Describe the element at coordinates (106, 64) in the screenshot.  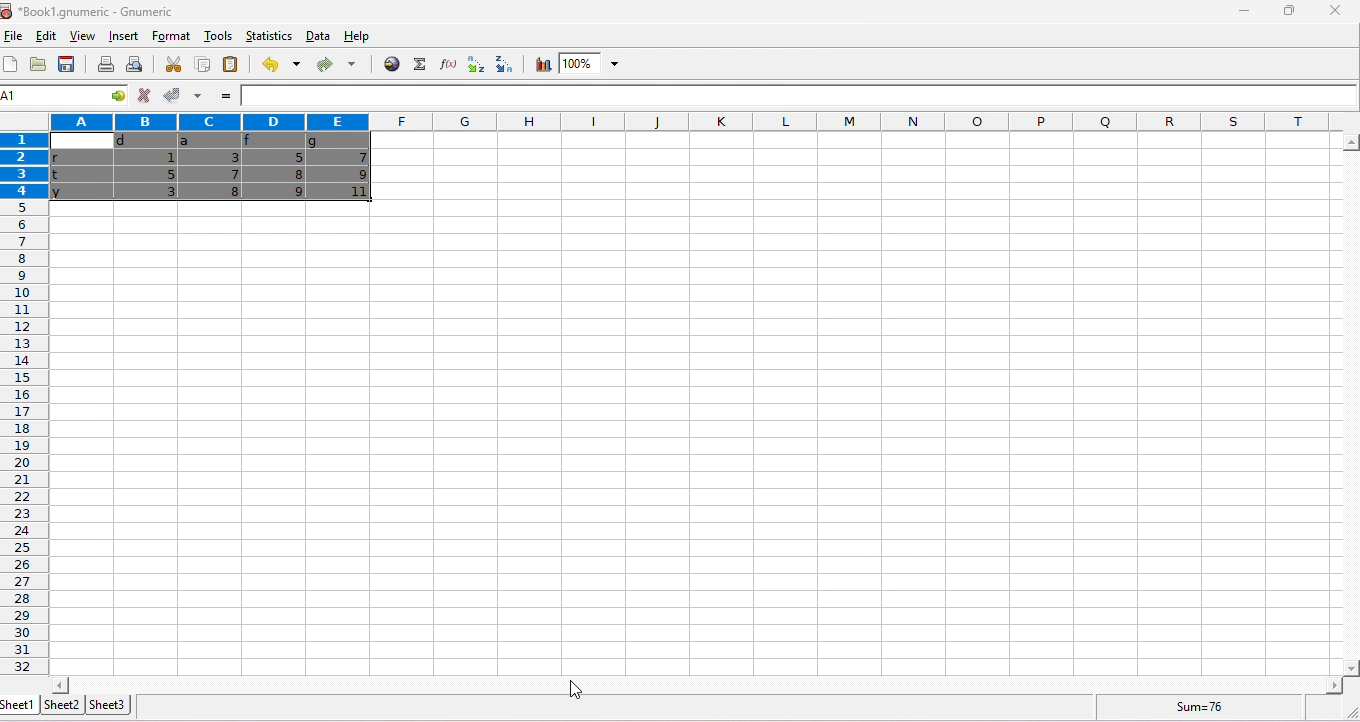
I see `print` at that location.